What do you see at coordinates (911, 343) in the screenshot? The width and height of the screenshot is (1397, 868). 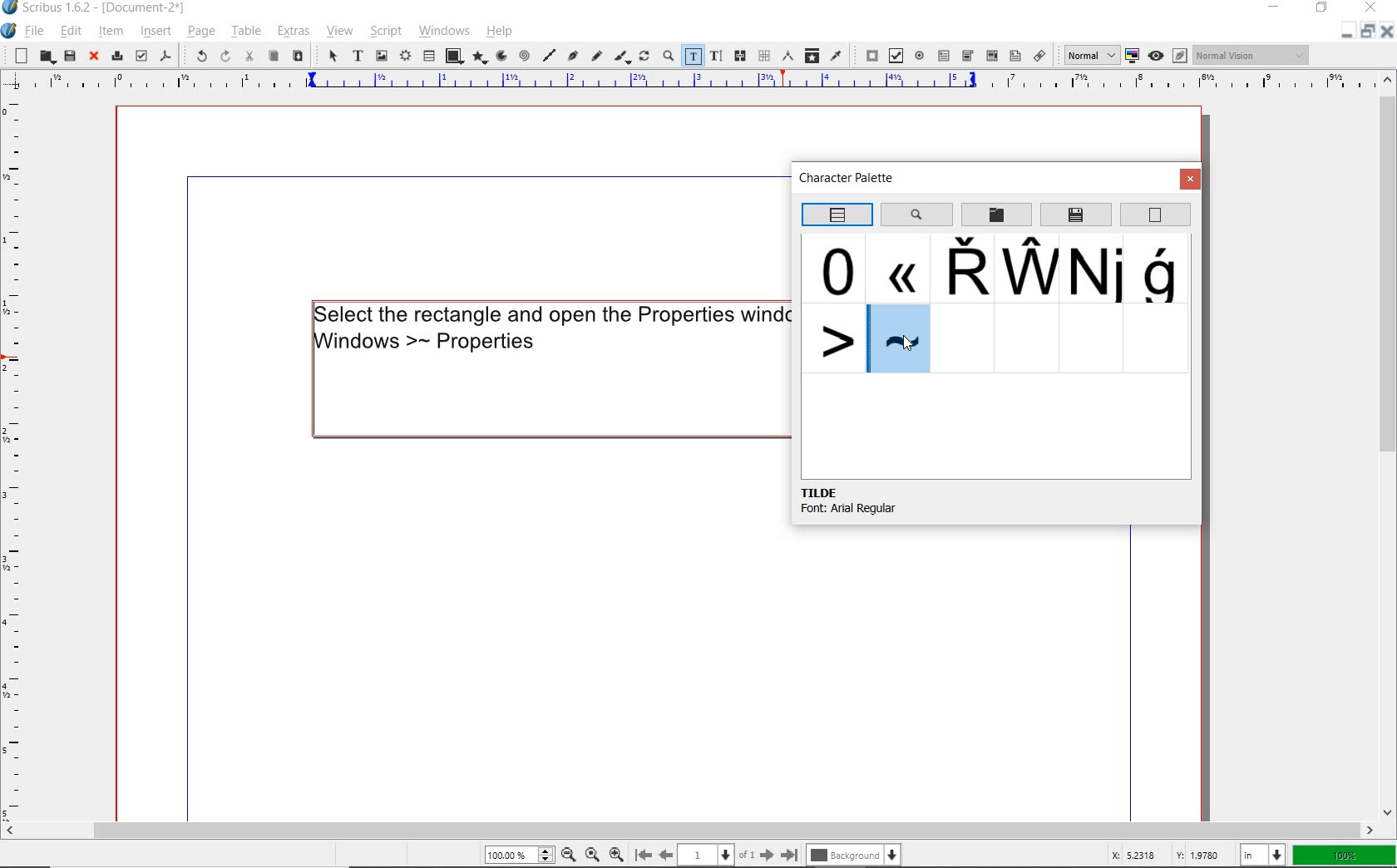 I see `Cursor` at bounding box center [911, 343].